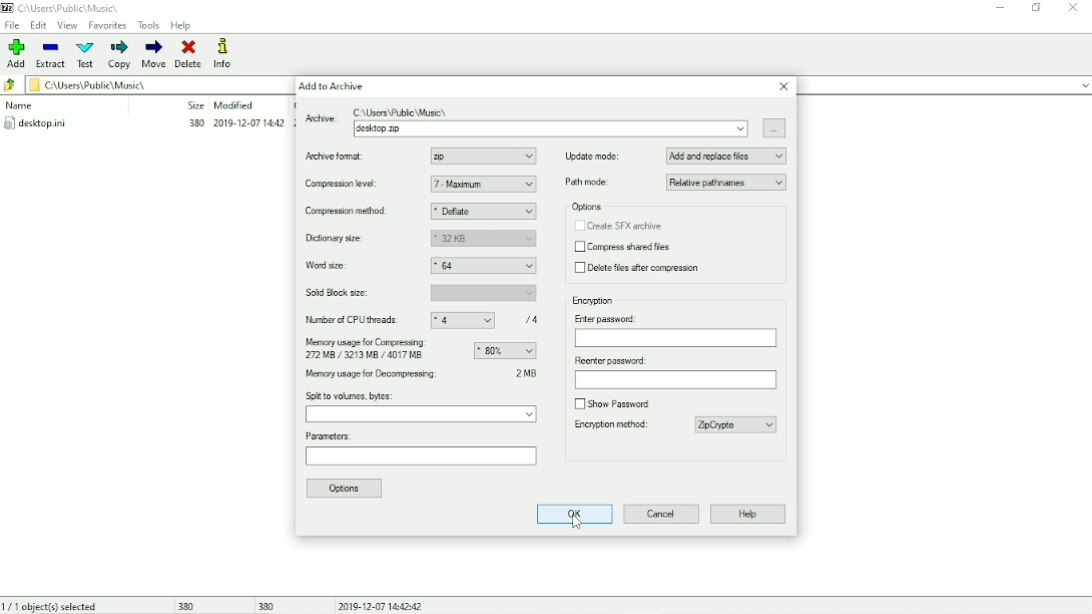  I want to click on ZipCrypto, so click(738, 425).